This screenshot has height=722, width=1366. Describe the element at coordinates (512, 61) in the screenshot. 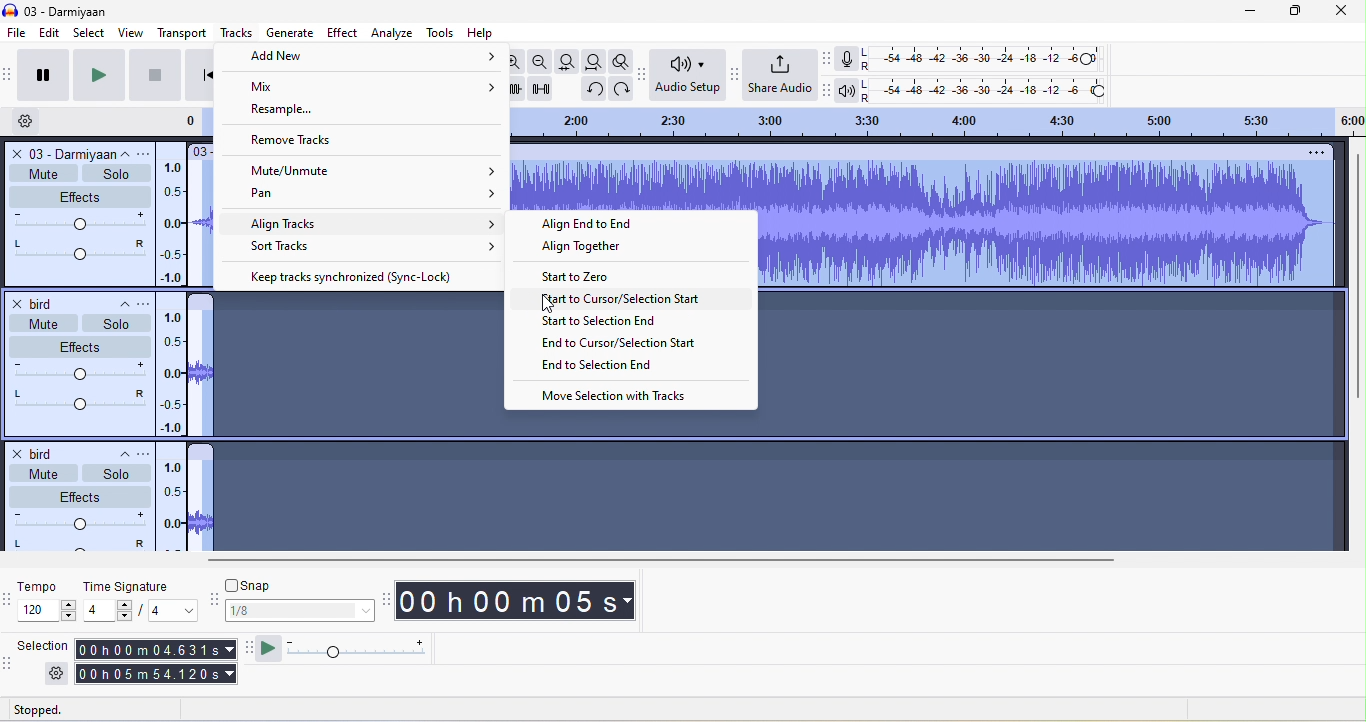

I see `zoom in` at that location.